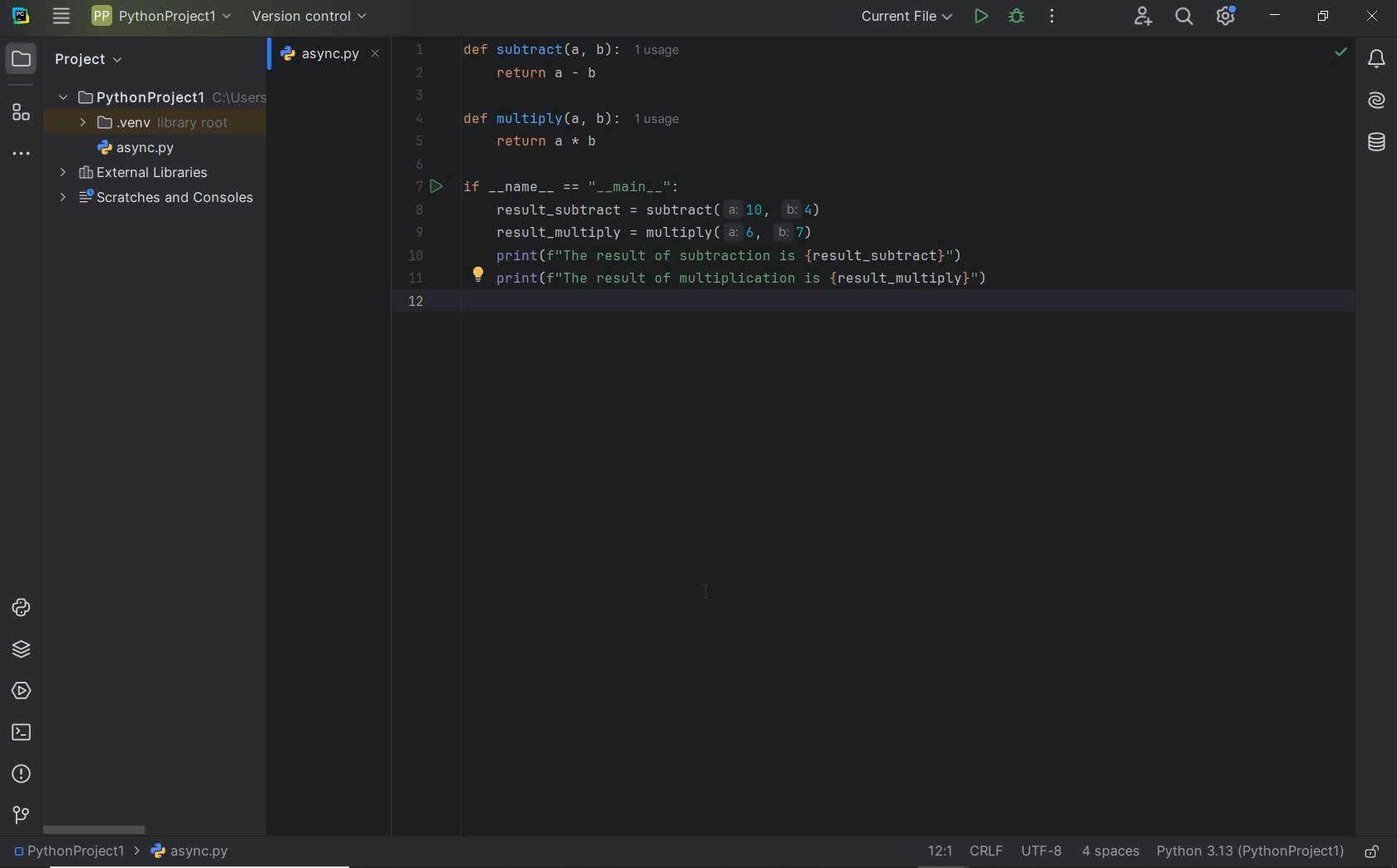 This screenshot has height=868, width=1397. I want to click on scrollbar, so click(92, 829).